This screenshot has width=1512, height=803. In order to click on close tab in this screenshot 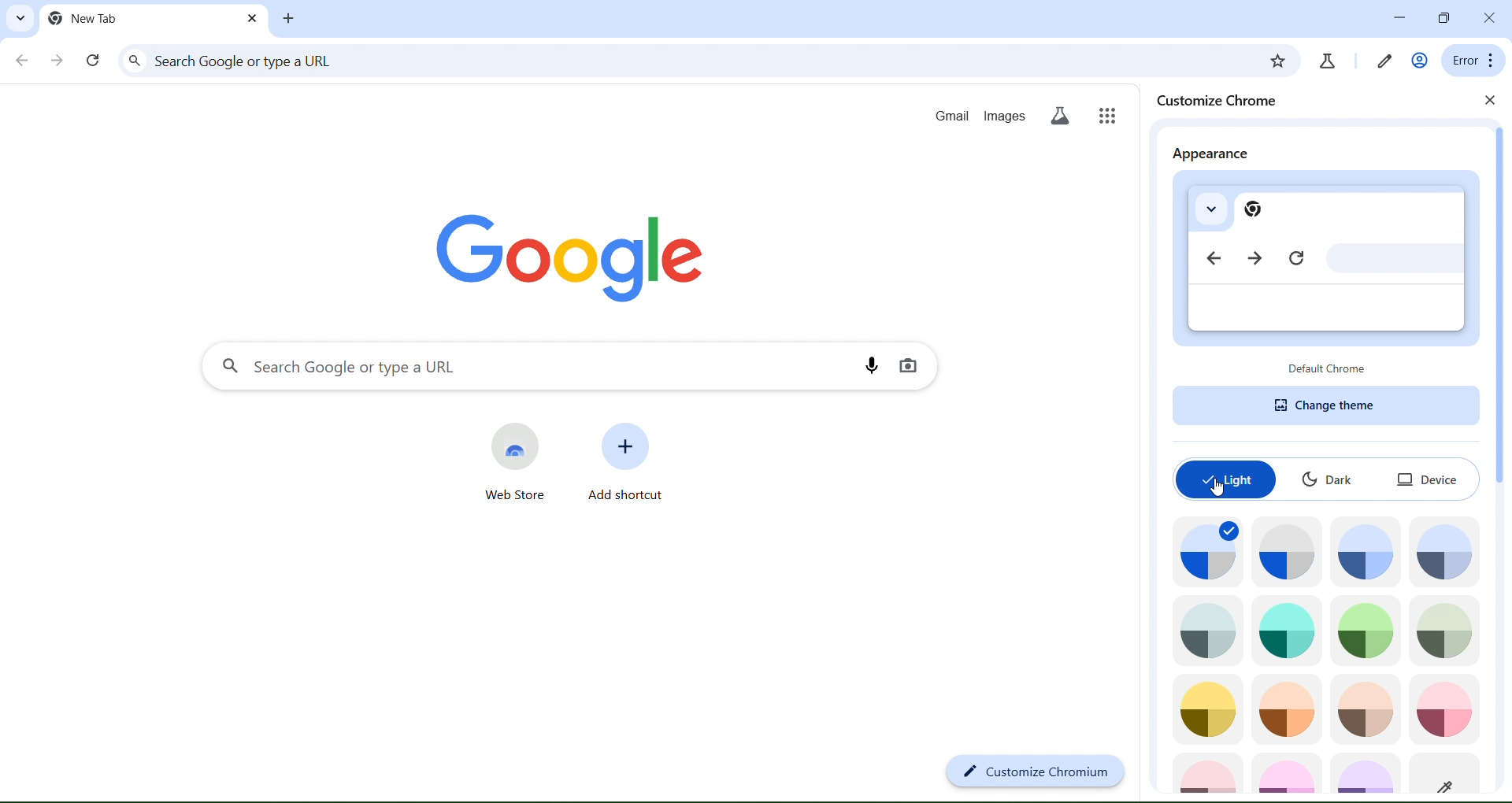, I will do `click(291, 20)`.